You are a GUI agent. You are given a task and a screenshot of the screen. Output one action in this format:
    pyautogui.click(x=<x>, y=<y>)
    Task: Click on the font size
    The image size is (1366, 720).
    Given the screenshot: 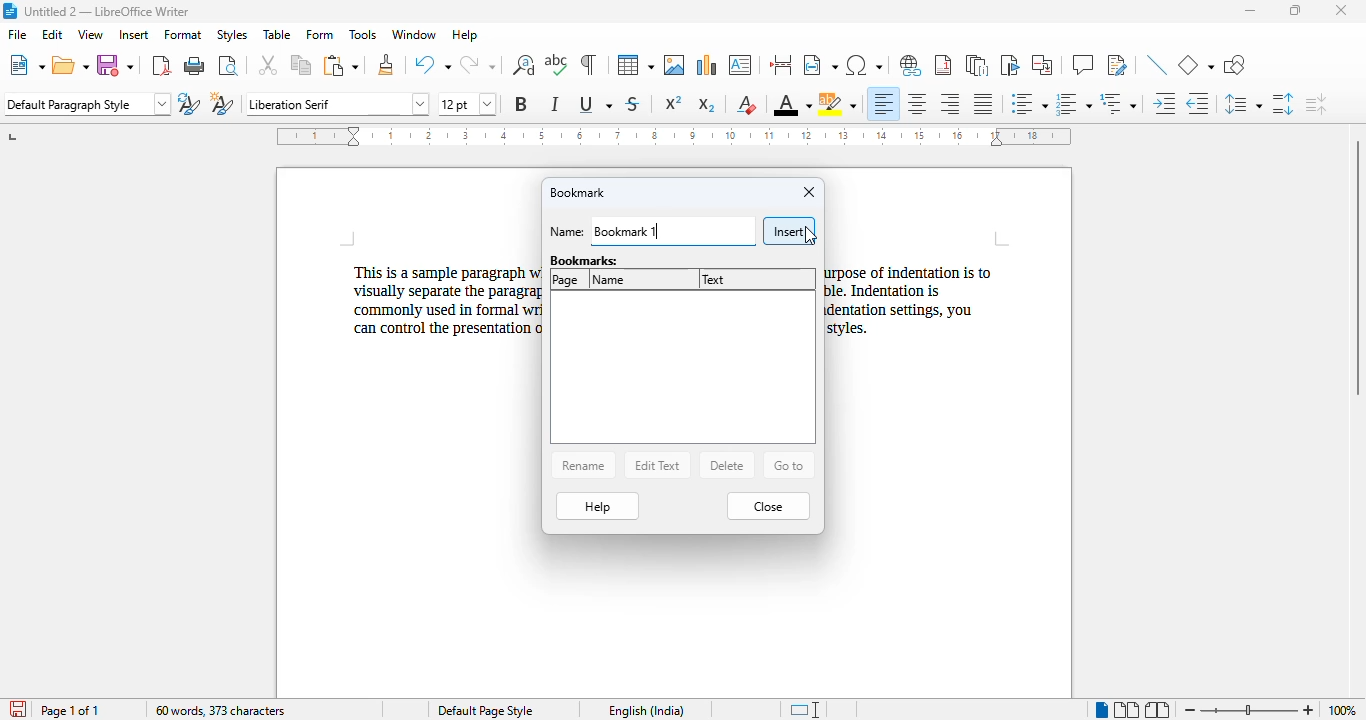 What is the action you would take?
    pyautogui.click(x=466, y=104)
    